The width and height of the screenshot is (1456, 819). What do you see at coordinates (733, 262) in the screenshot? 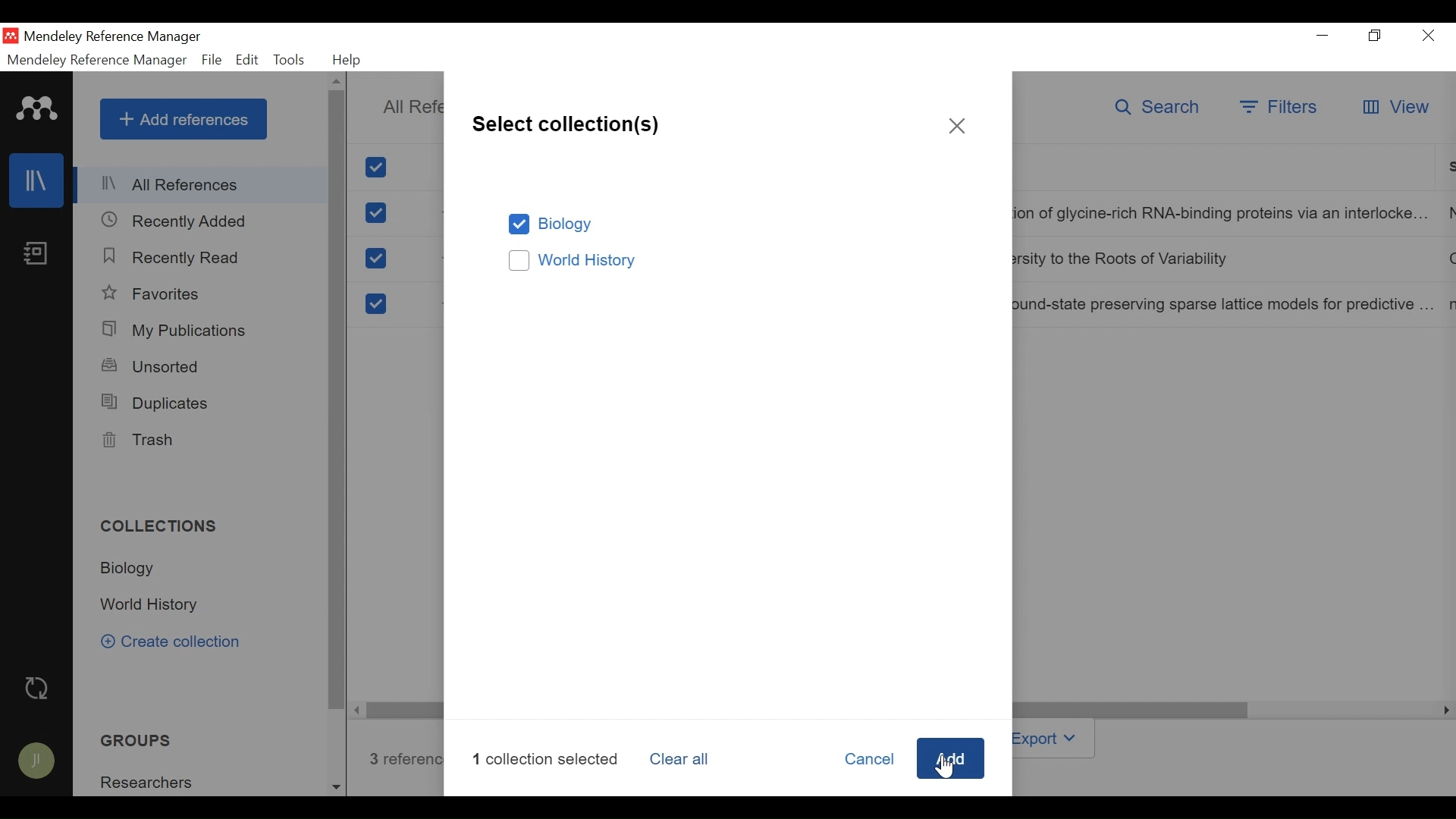
I see `(un)select Collection` at bounding box center [733, 262].